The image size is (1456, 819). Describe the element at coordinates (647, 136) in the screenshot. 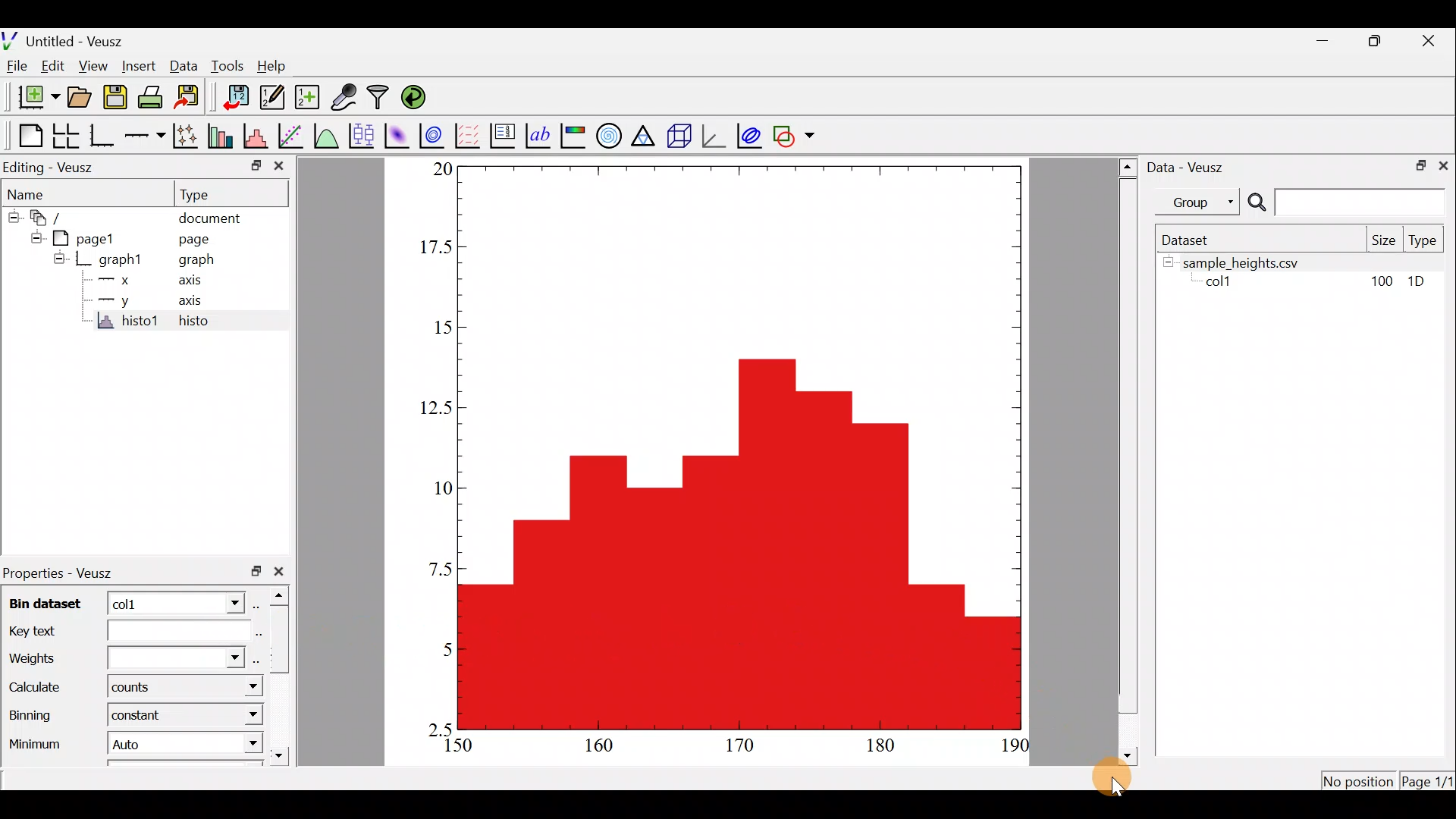

I see `ternary graph` at that location.